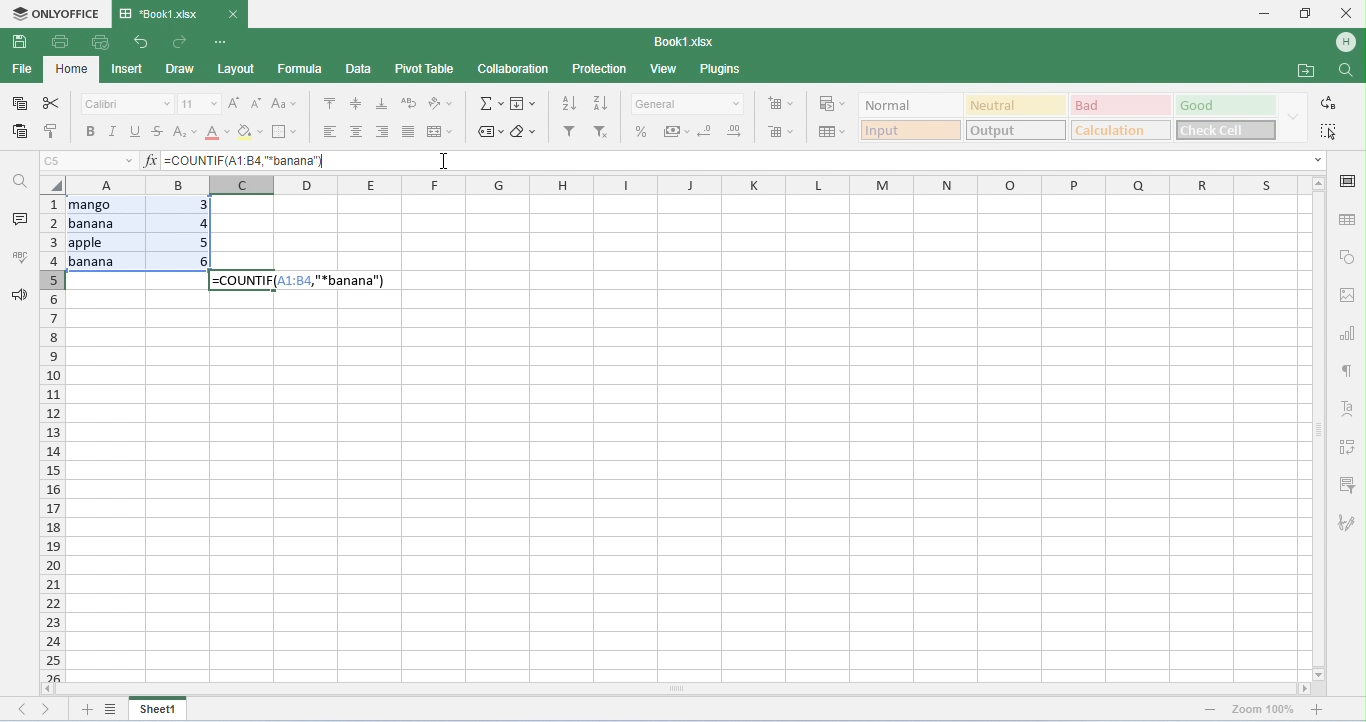  Describe the element at coordinates (215, 133) in the screenshot. I see `font color` at that location.